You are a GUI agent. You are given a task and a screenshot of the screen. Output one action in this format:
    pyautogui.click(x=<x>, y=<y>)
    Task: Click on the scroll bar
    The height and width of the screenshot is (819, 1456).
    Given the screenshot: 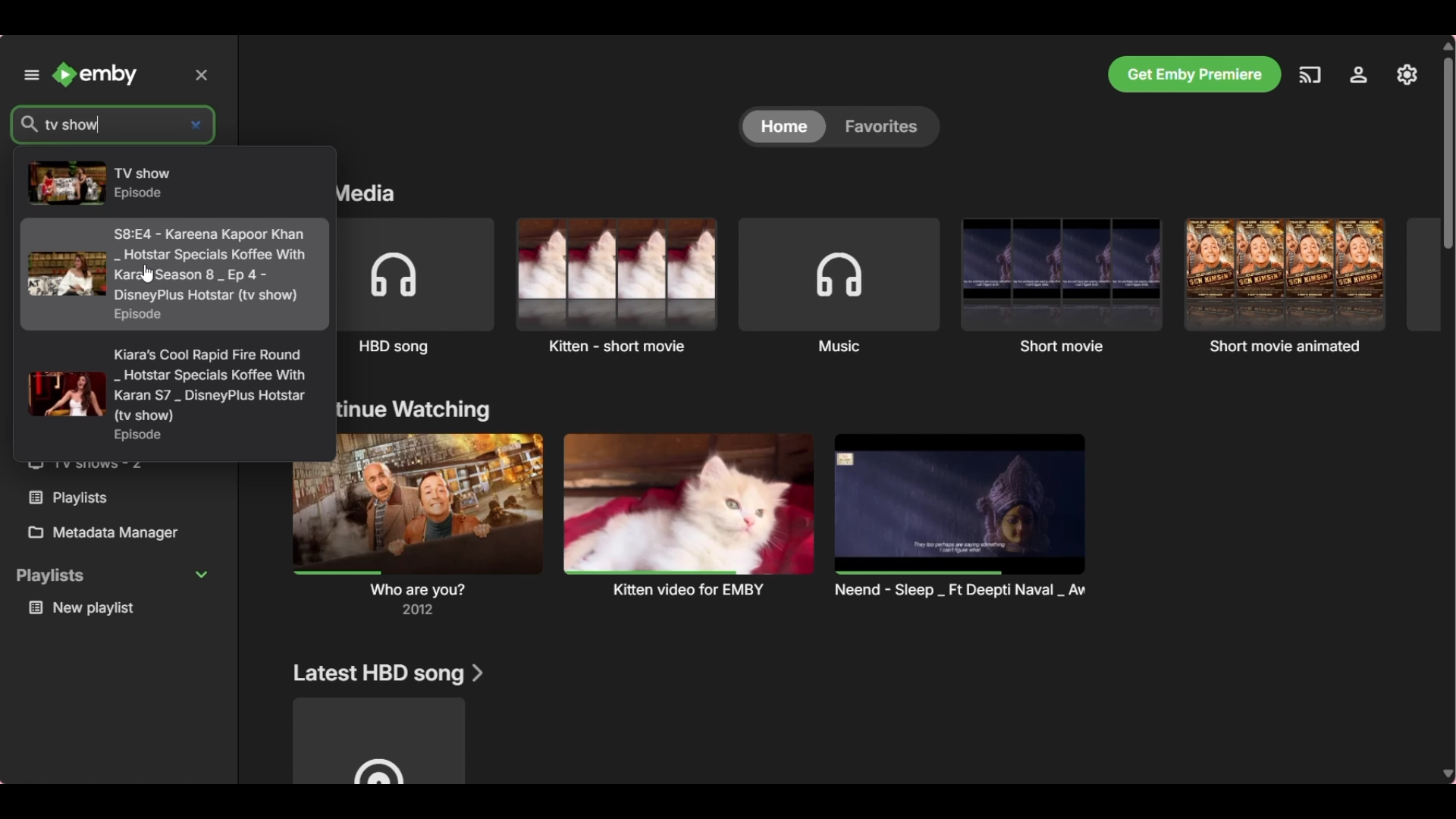 What is the action you would take?
    pyautogui.click(x=1447, y=145)
    